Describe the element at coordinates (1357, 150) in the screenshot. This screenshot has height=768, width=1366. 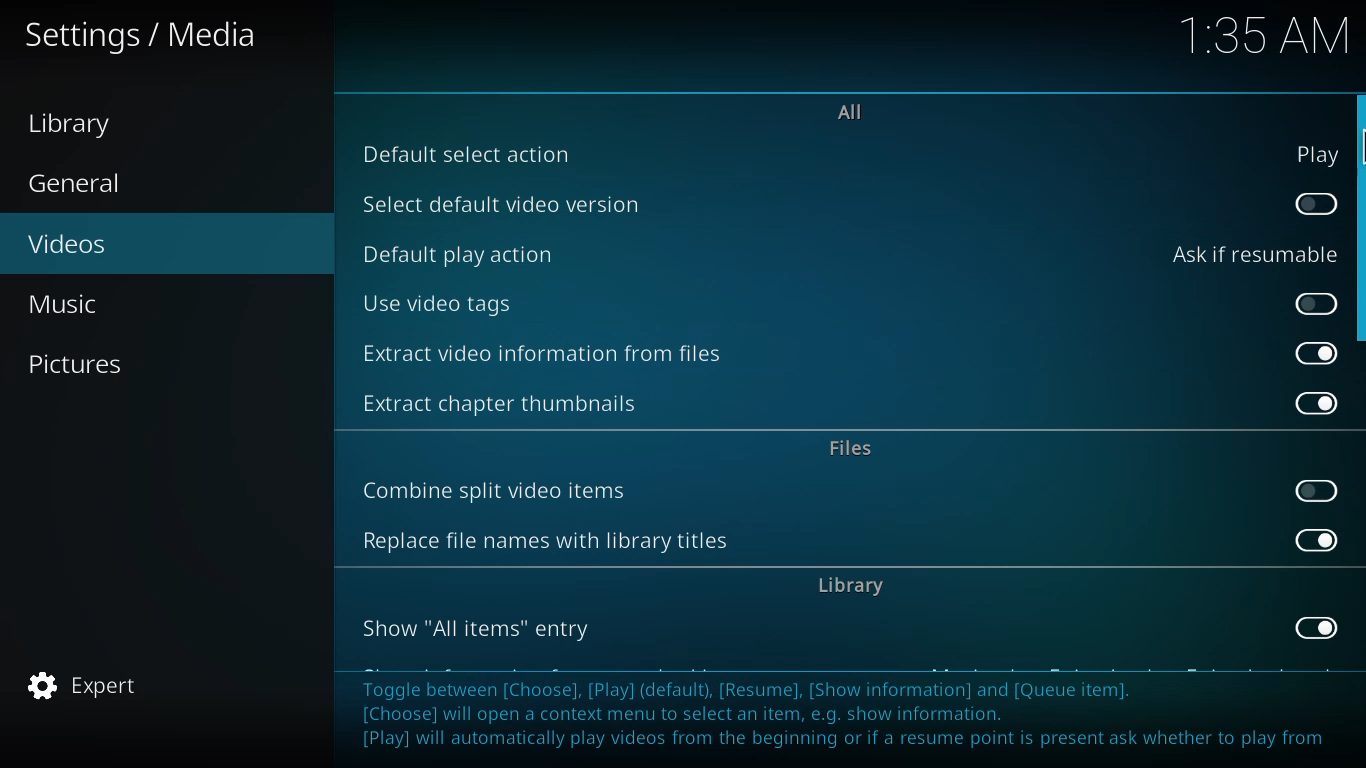
I see `MOUSE_DOWN cursor` at that location.